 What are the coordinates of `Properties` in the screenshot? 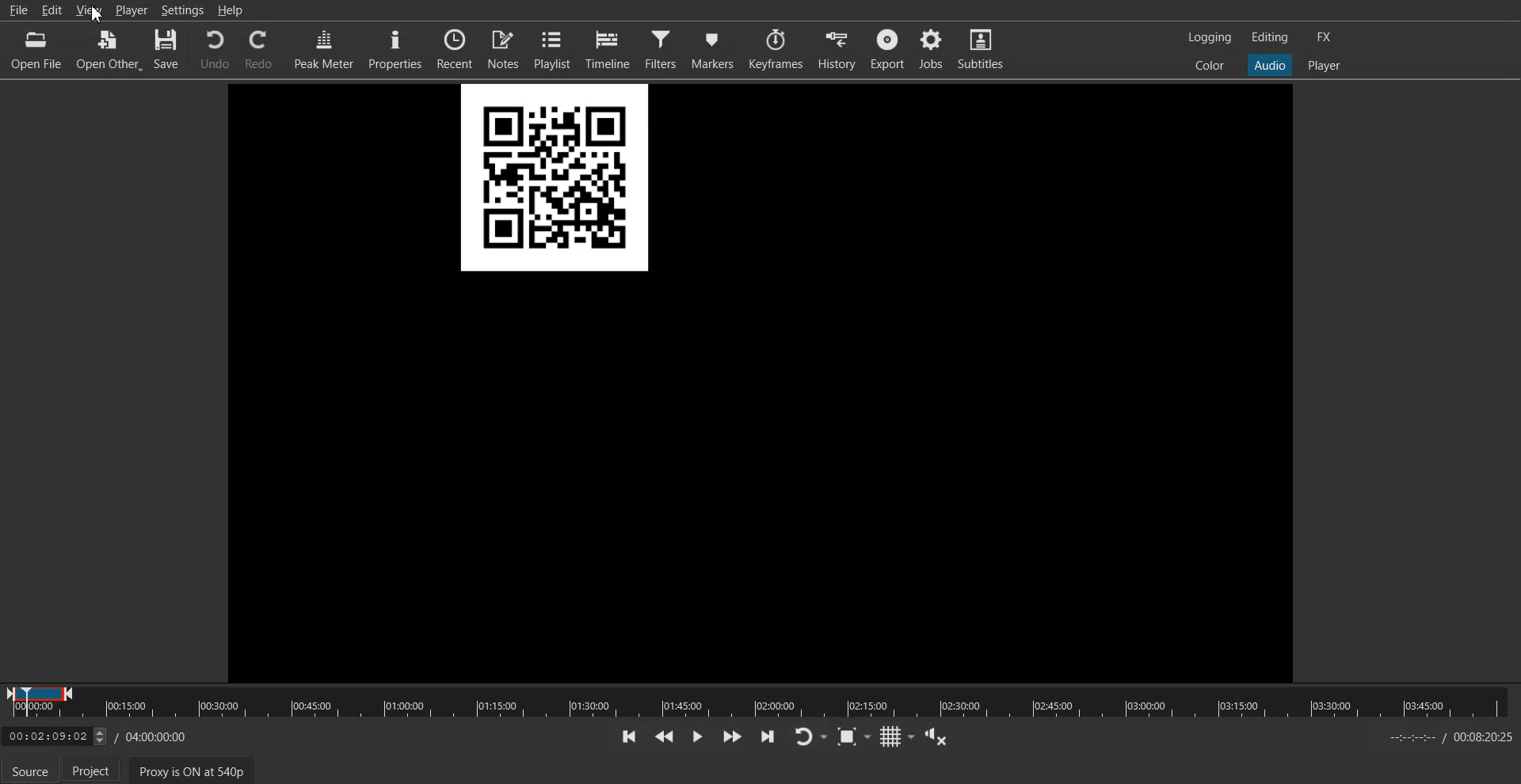 It's located at (395, 49).